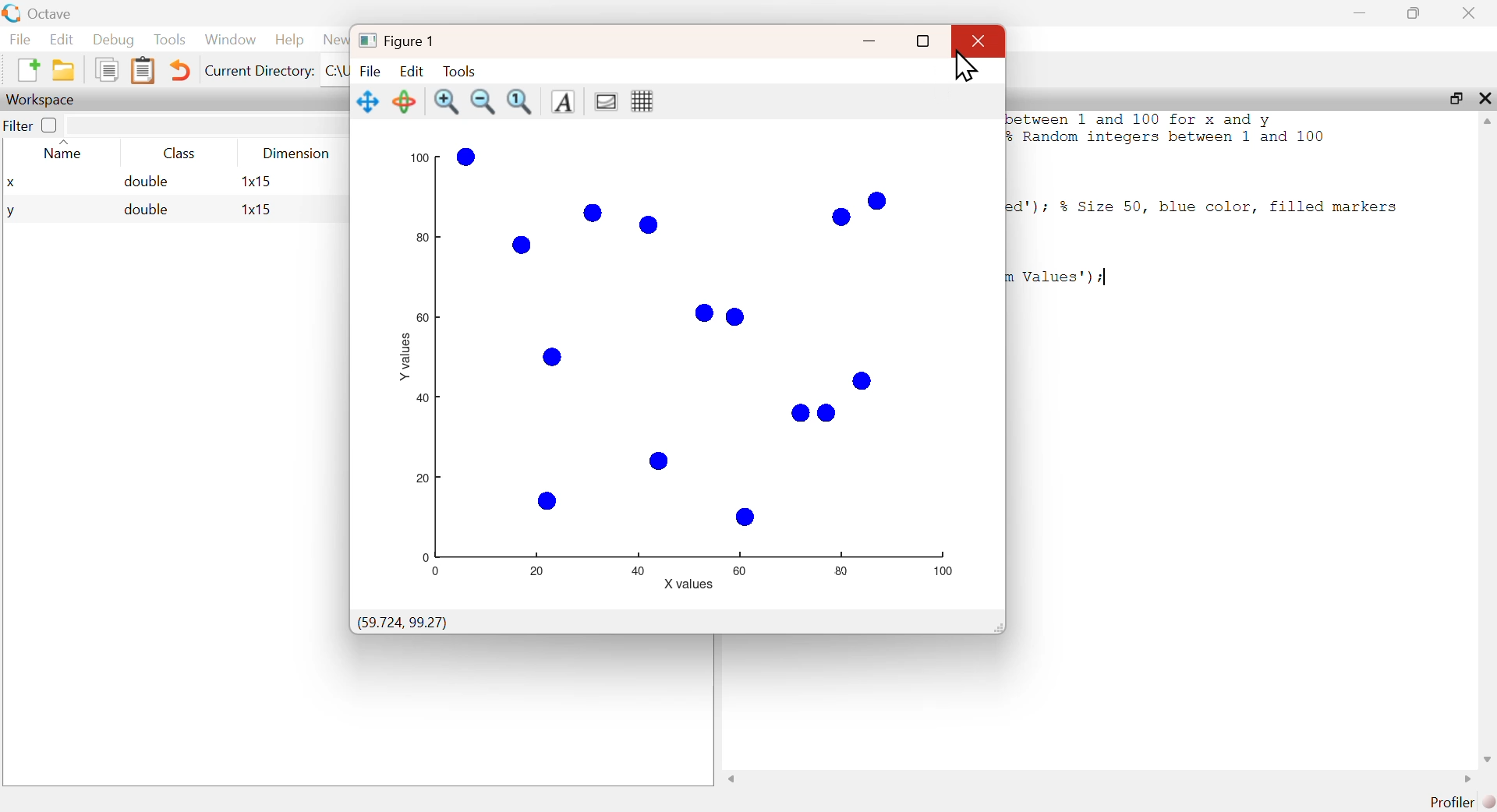  Describe the element at coordinates (733, 778) in the screenshot. I see `scroll left` at that location.